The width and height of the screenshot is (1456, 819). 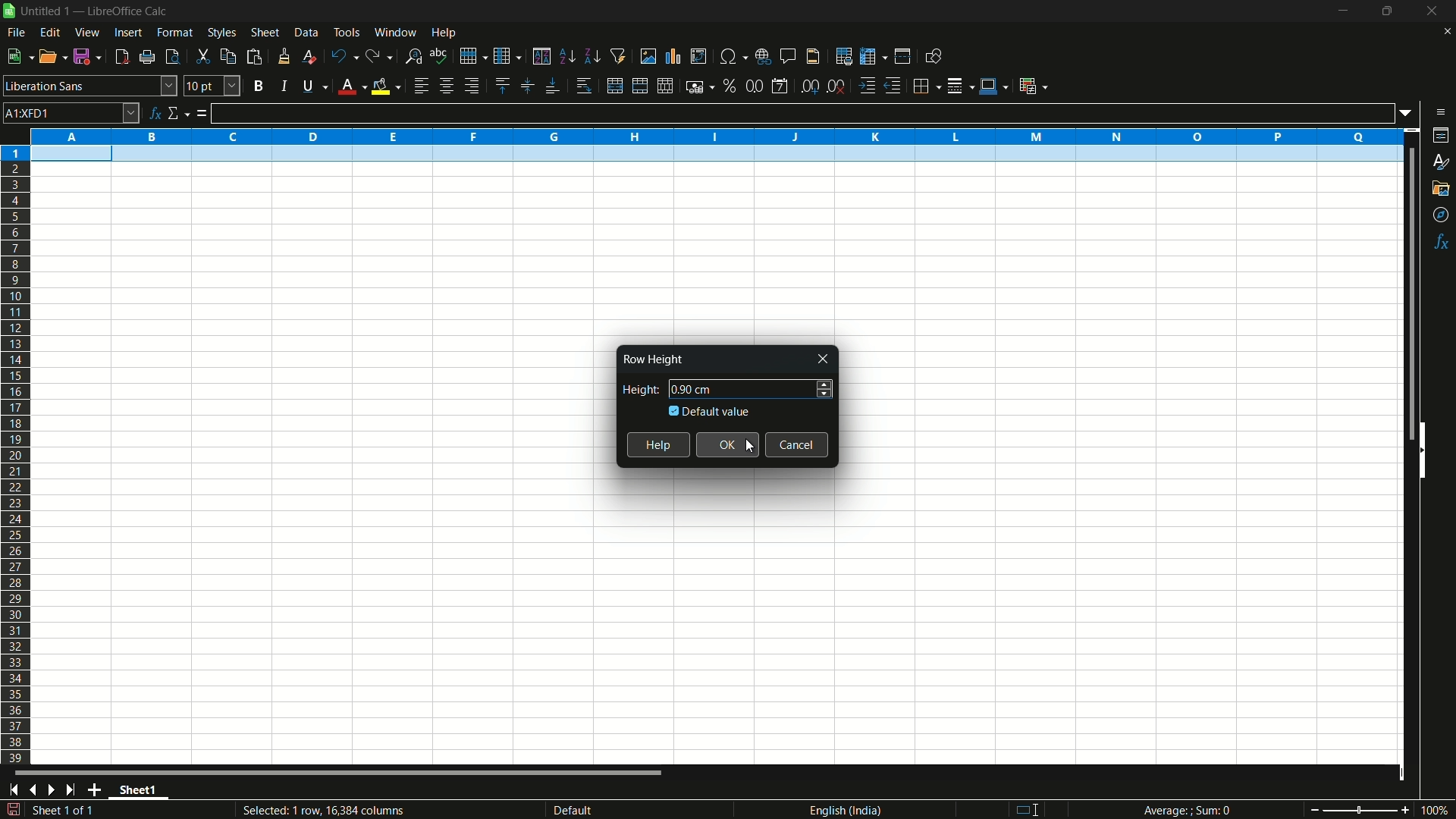 I want to click on cut, so click(x=202, y=56).